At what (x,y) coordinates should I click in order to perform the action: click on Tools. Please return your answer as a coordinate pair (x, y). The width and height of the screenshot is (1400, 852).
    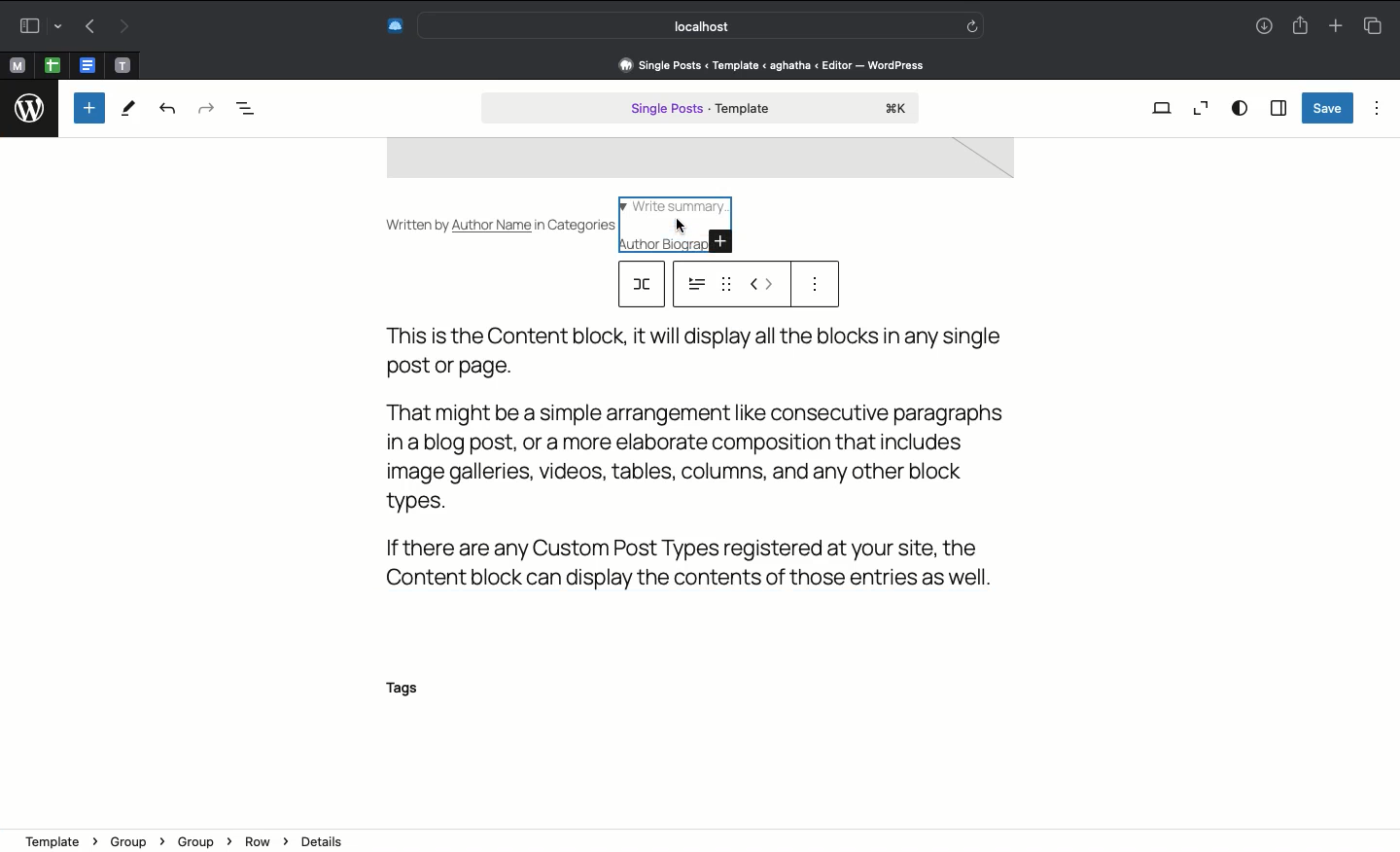
    Looking at the image, I should click on (129, 111).